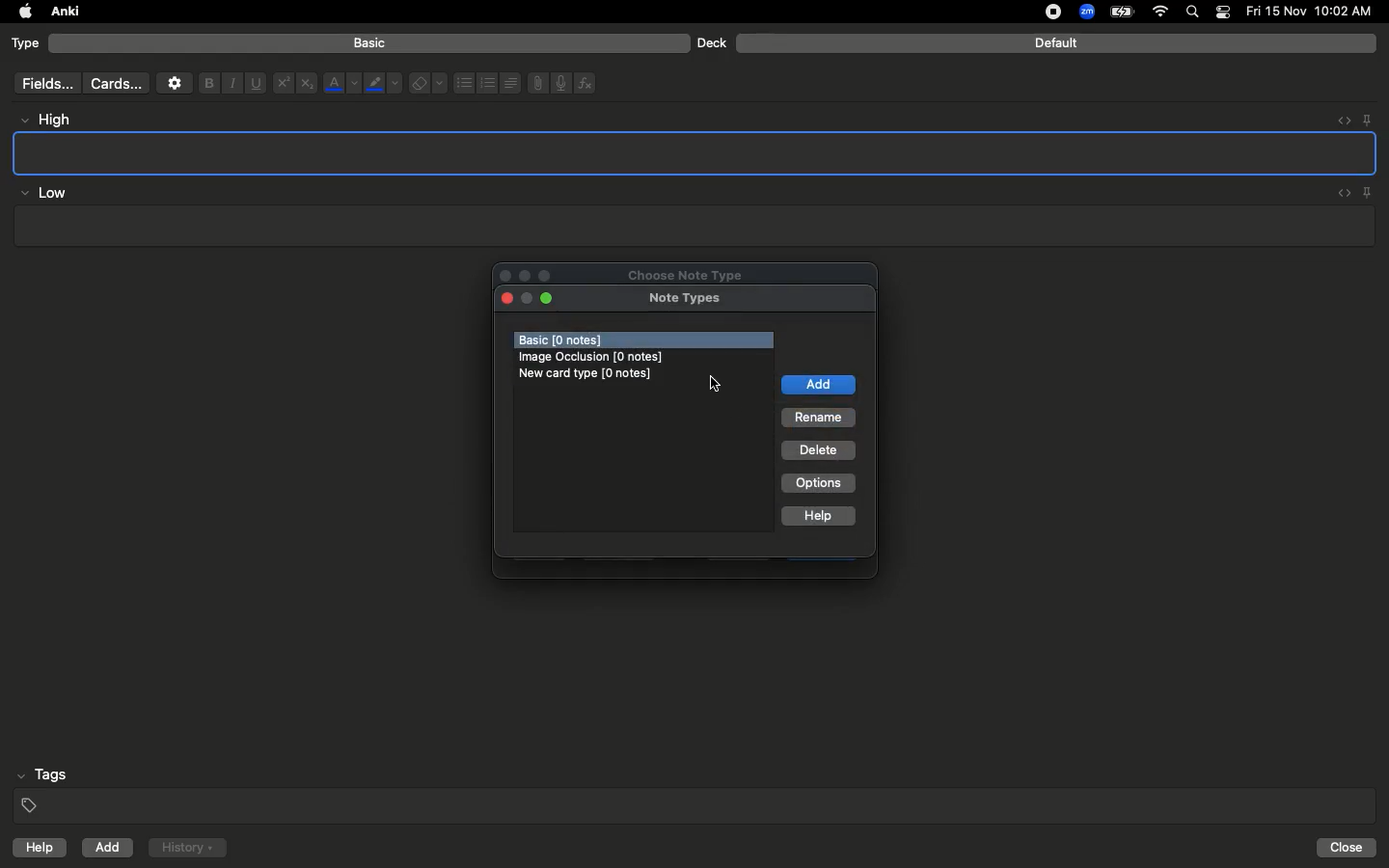 The width and height of the screenshot is (1389, 868). Describe the element at coordinates (1338, 121) in the screenshot. I see `Embed` at that location.